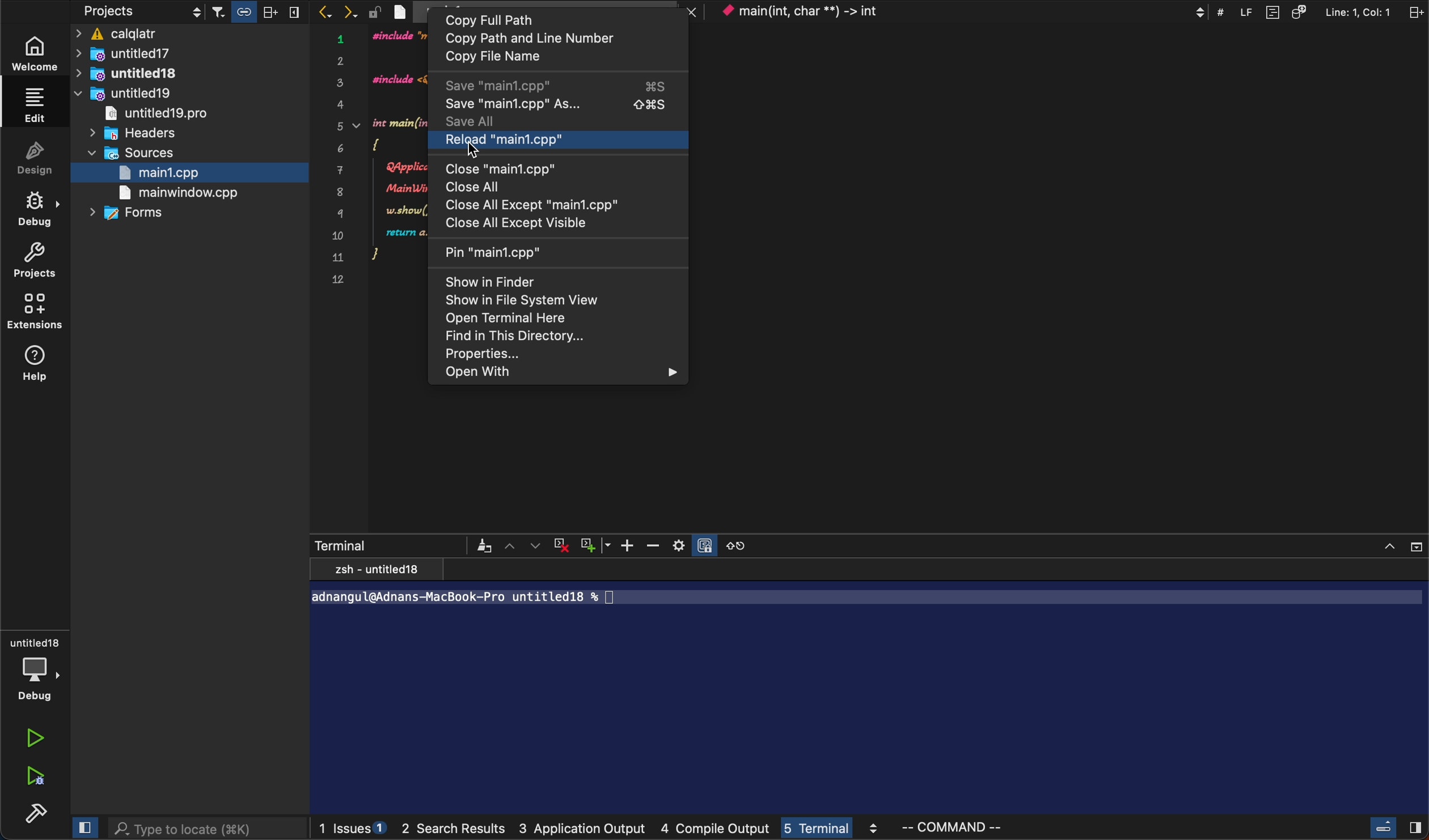 The height and width of the screenshot is (840, 1429). Describe the element at coordinates (489, 281) in the screenshot. I see `show finder` at that location.